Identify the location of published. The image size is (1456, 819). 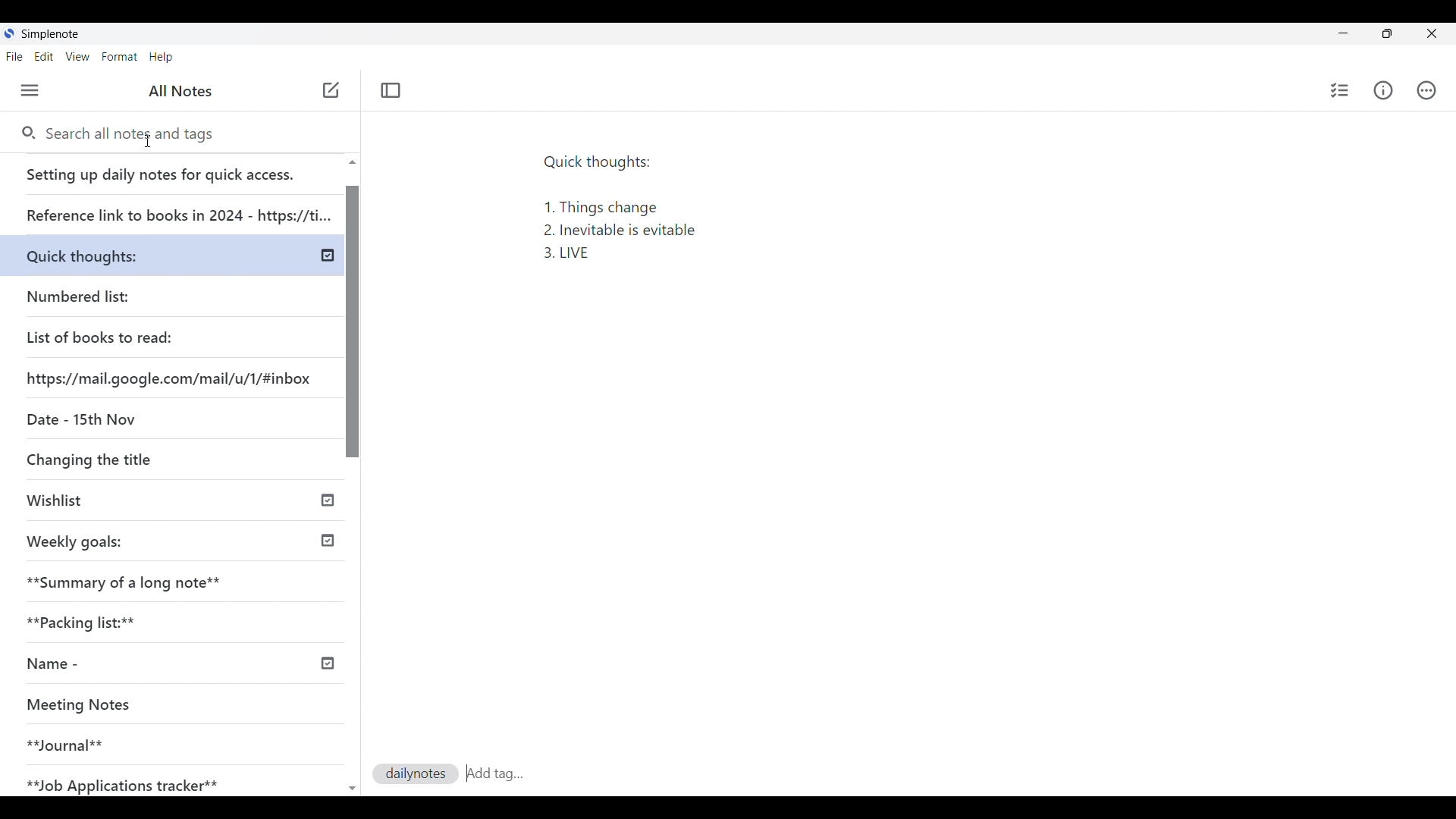
(328, 256).